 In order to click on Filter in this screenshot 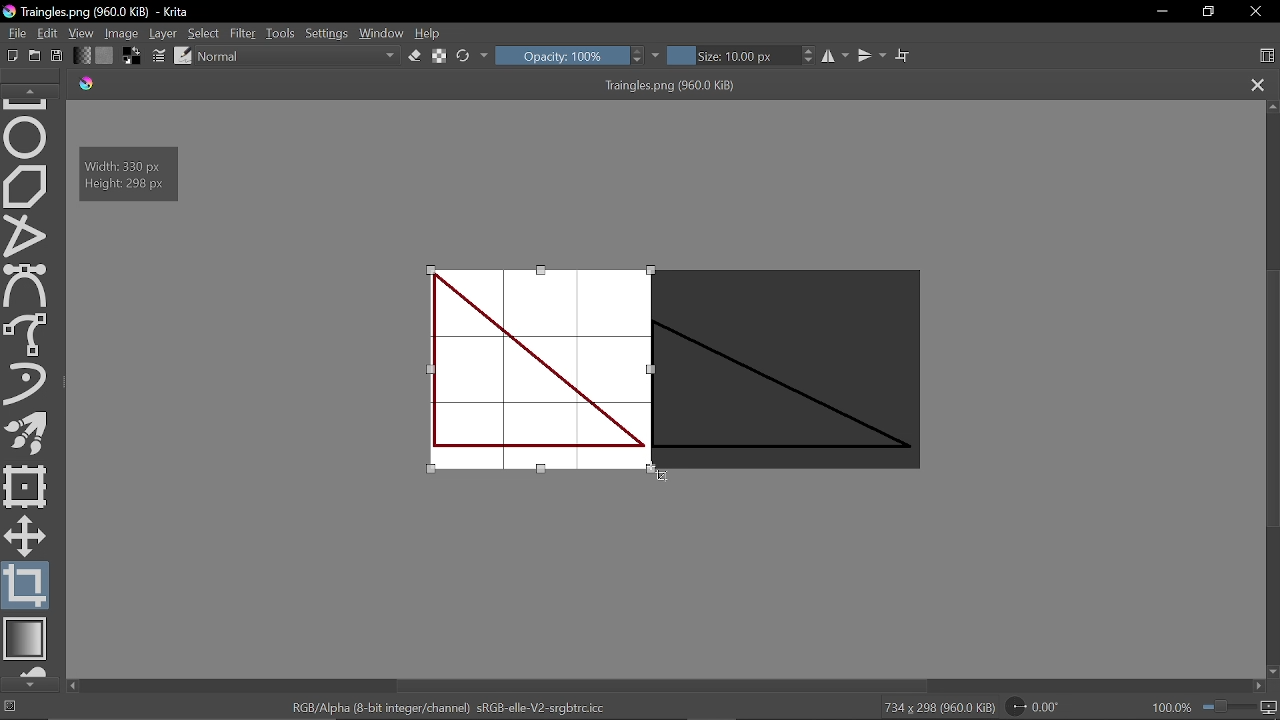, I will do `click(242, 33)`.